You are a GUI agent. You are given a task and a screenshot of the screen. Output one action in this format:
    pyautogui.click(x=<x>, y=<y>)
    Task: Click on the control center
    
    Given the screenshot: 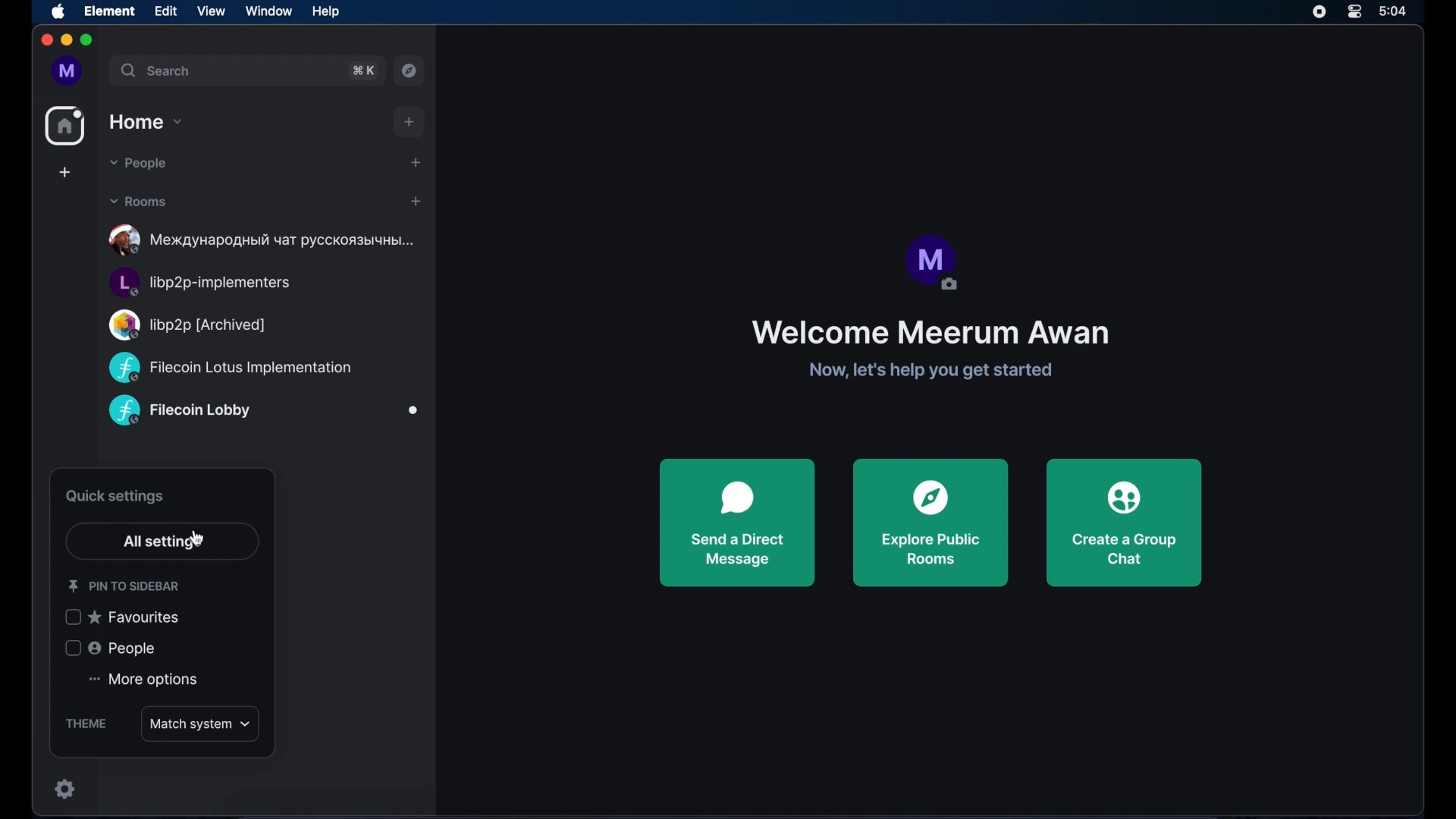 What is the action you would take?
    pyautogui.click(x=1355, y=12)
    